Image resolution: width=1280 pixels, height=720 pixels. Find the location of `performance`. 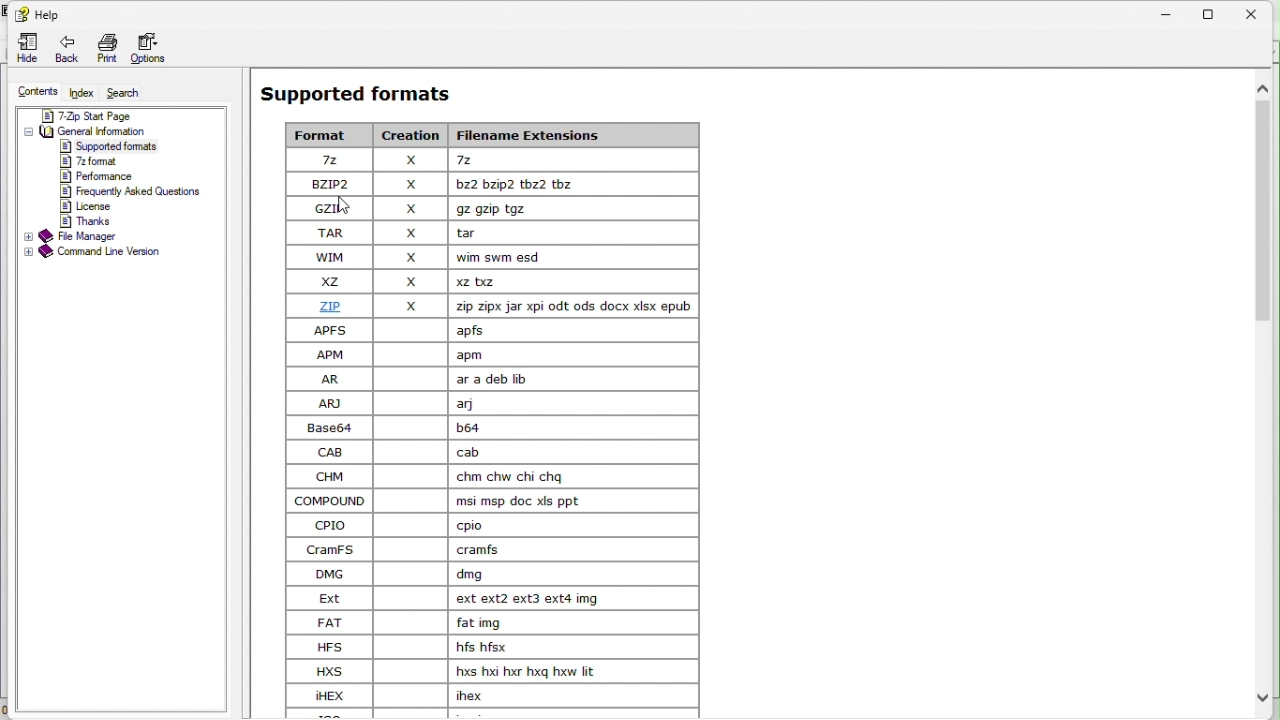

performance is located at coordinates (94, 177).